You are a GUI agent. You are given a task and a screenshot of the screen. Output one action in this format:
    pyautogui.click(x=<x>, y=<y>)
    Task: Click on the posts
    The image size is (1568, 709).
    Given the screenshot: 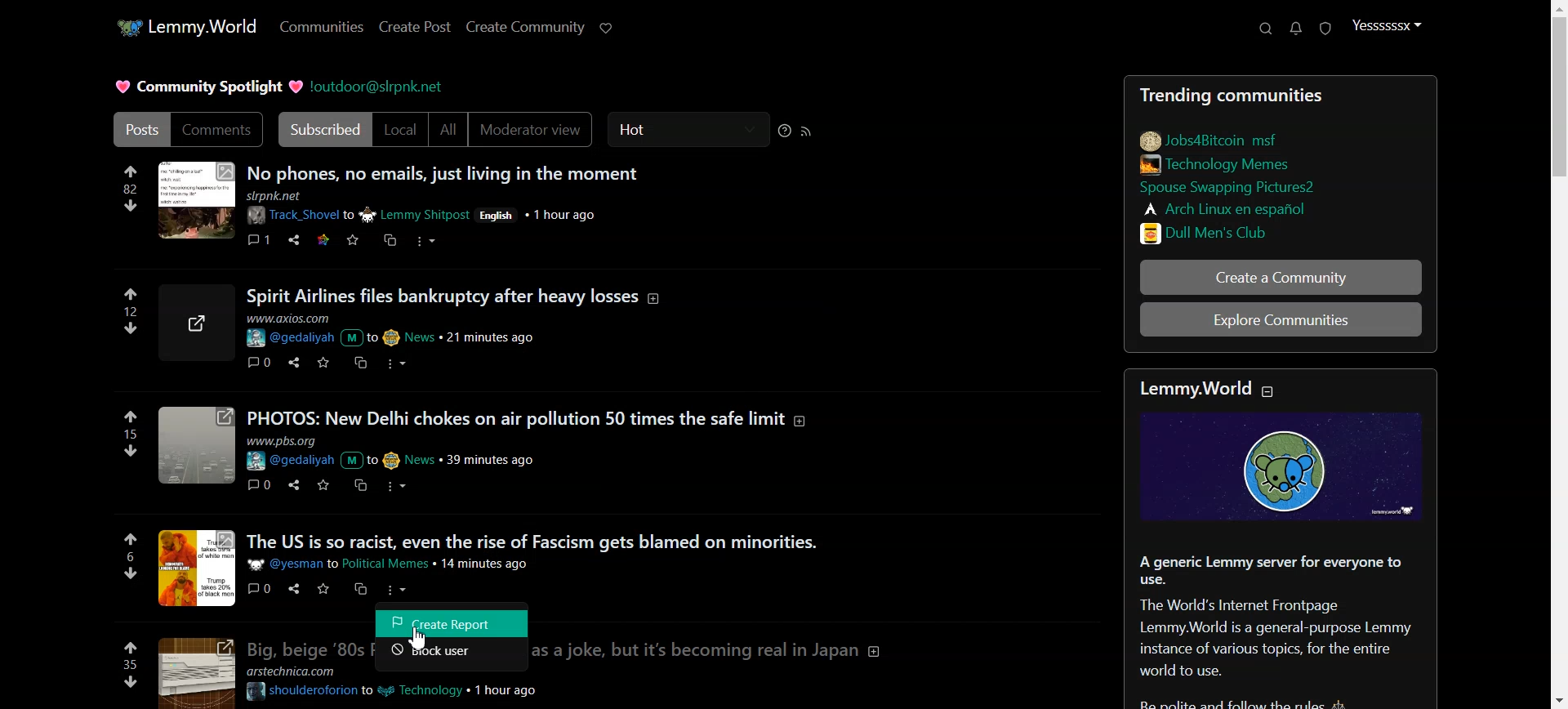 What is the action you would take?
    pyautogui.click(x=534, y=417)
    